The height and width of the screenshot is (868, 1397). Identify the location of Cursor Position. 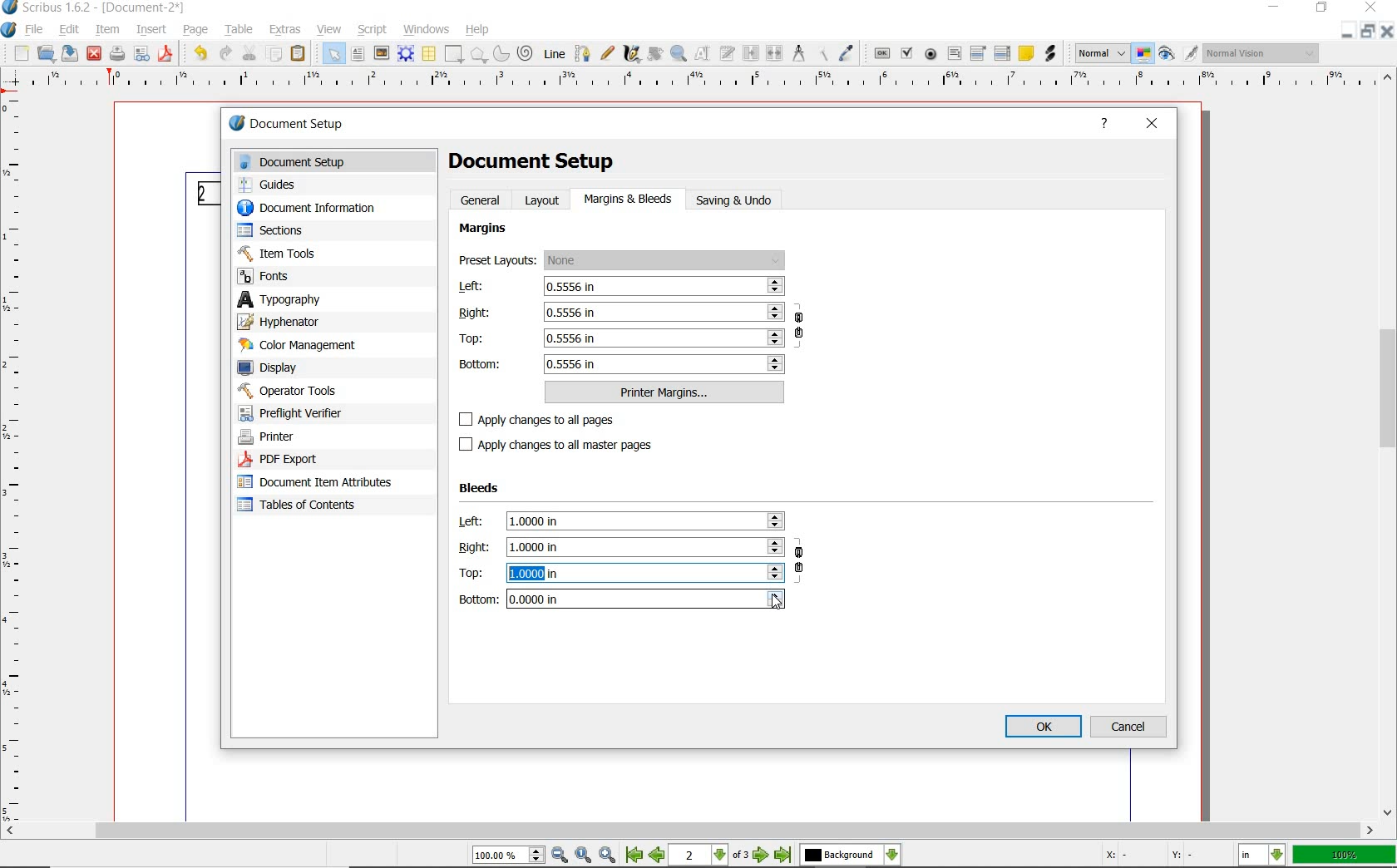
(775, 602).